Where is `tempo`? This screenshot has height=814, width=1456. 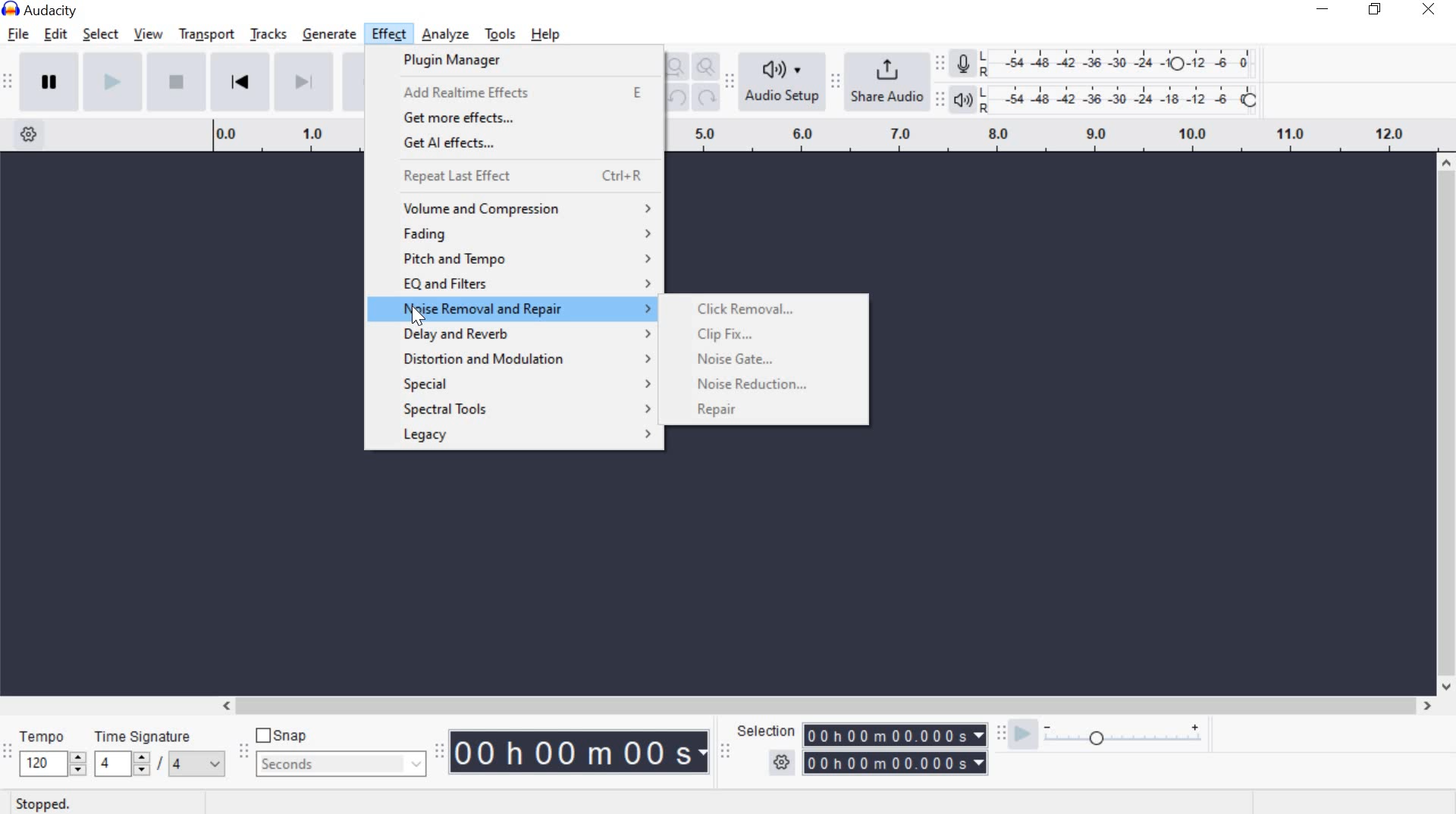 tempo is located at coordinates (52, 753).